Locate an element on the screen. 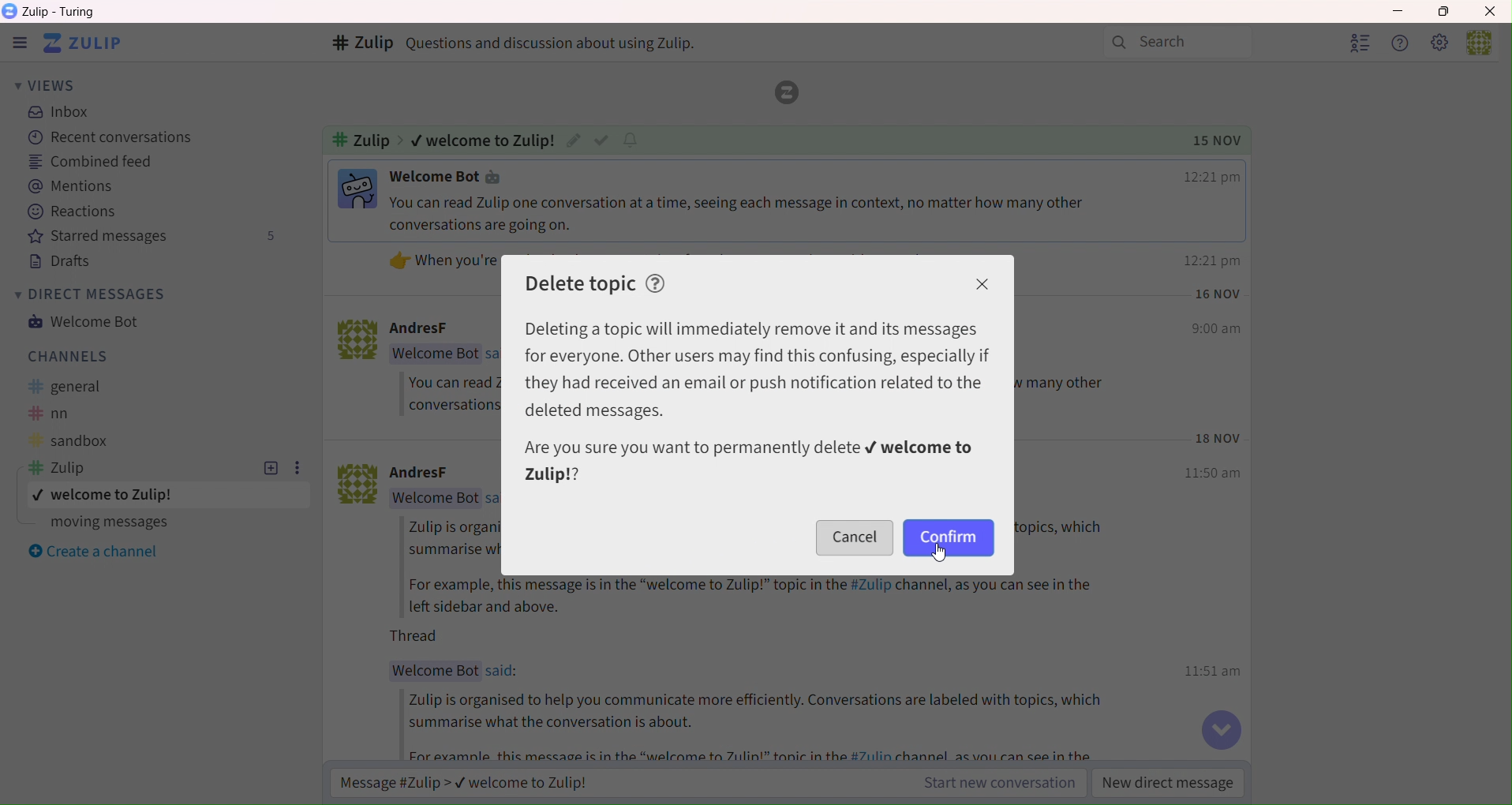 This screenshot has width=1512, height=805. Text is located at coordinates (434, 497).